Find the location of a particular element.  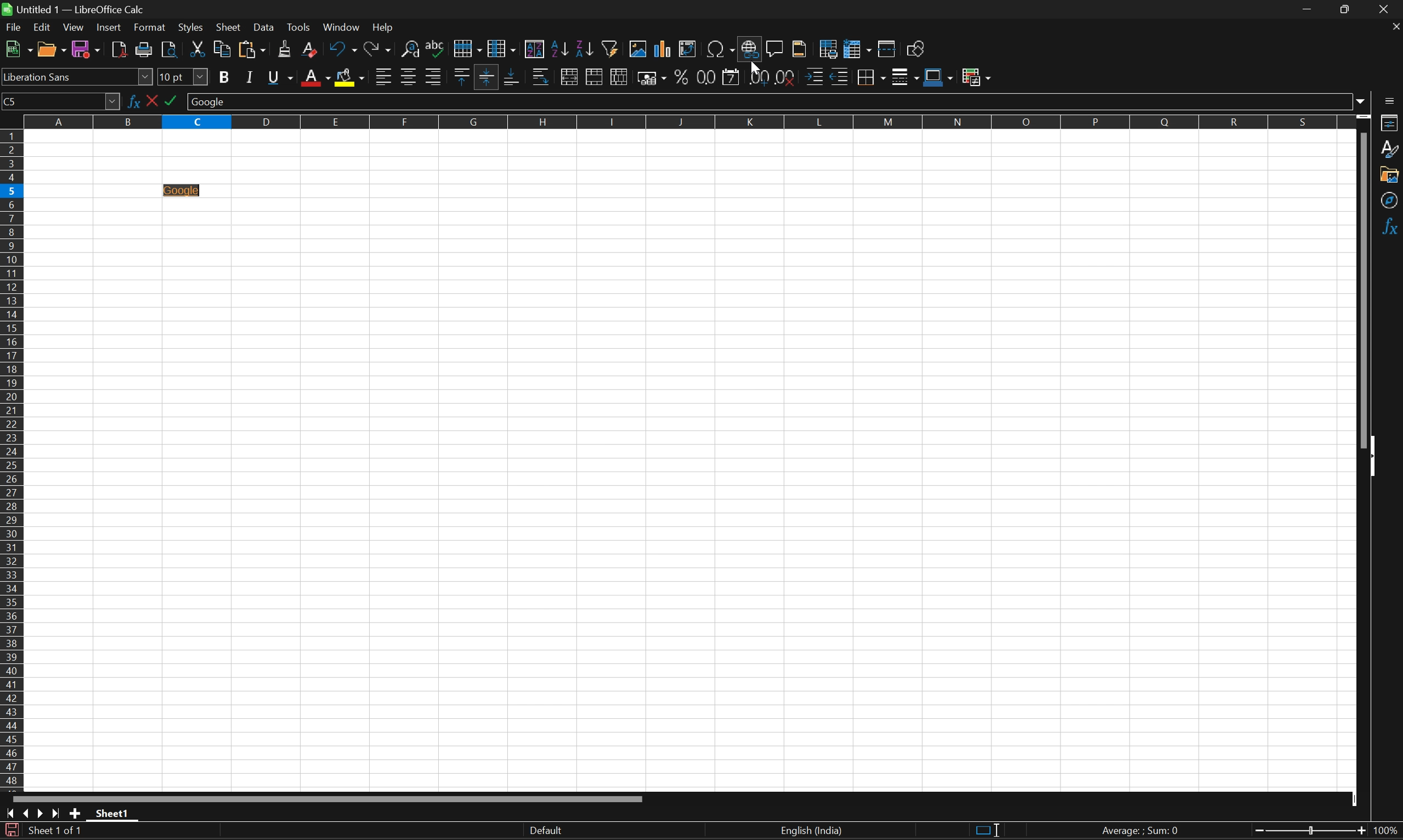

Close is located at coordinates (1387, 10).